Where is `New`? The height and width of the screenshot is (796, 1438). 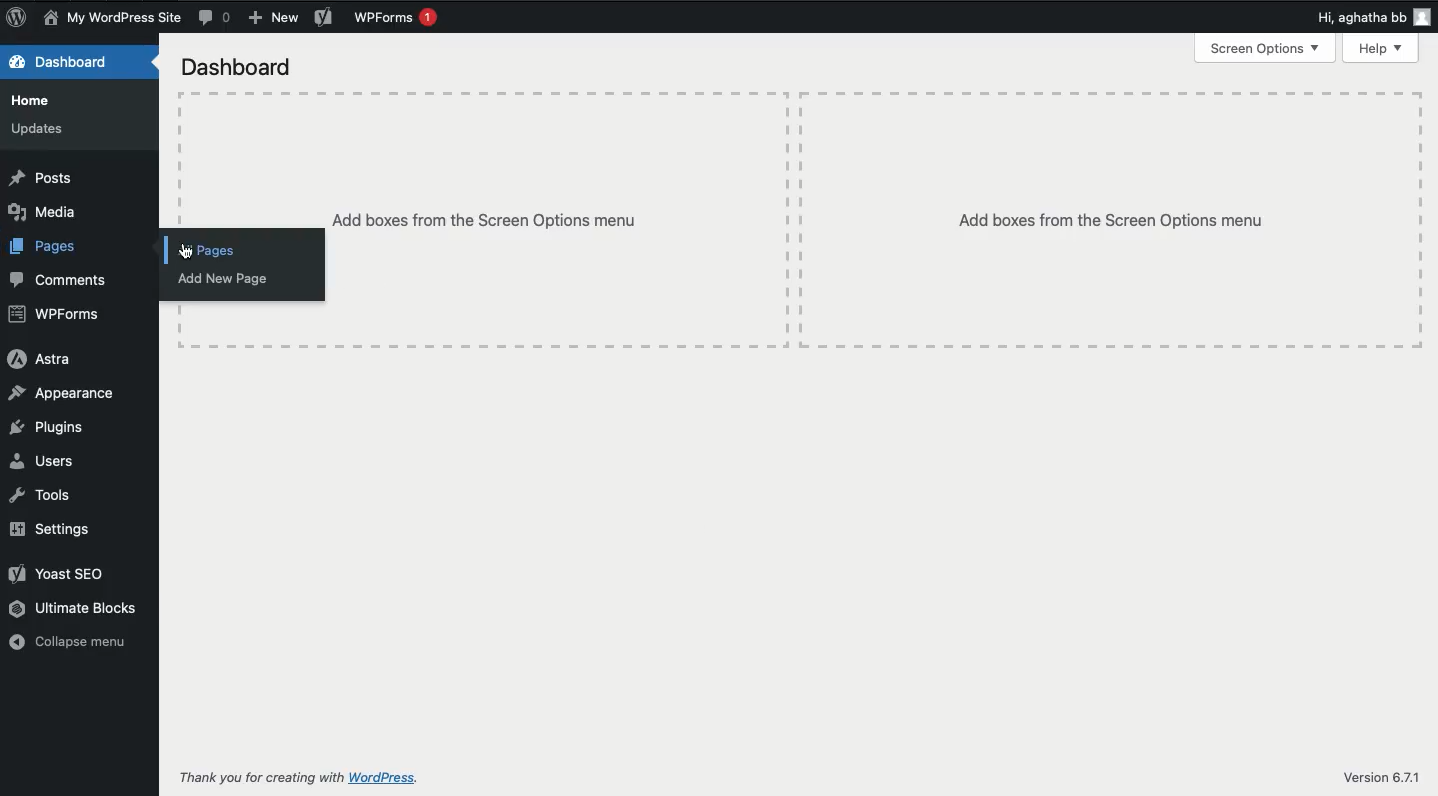
New is located at coordinates (272, 17).